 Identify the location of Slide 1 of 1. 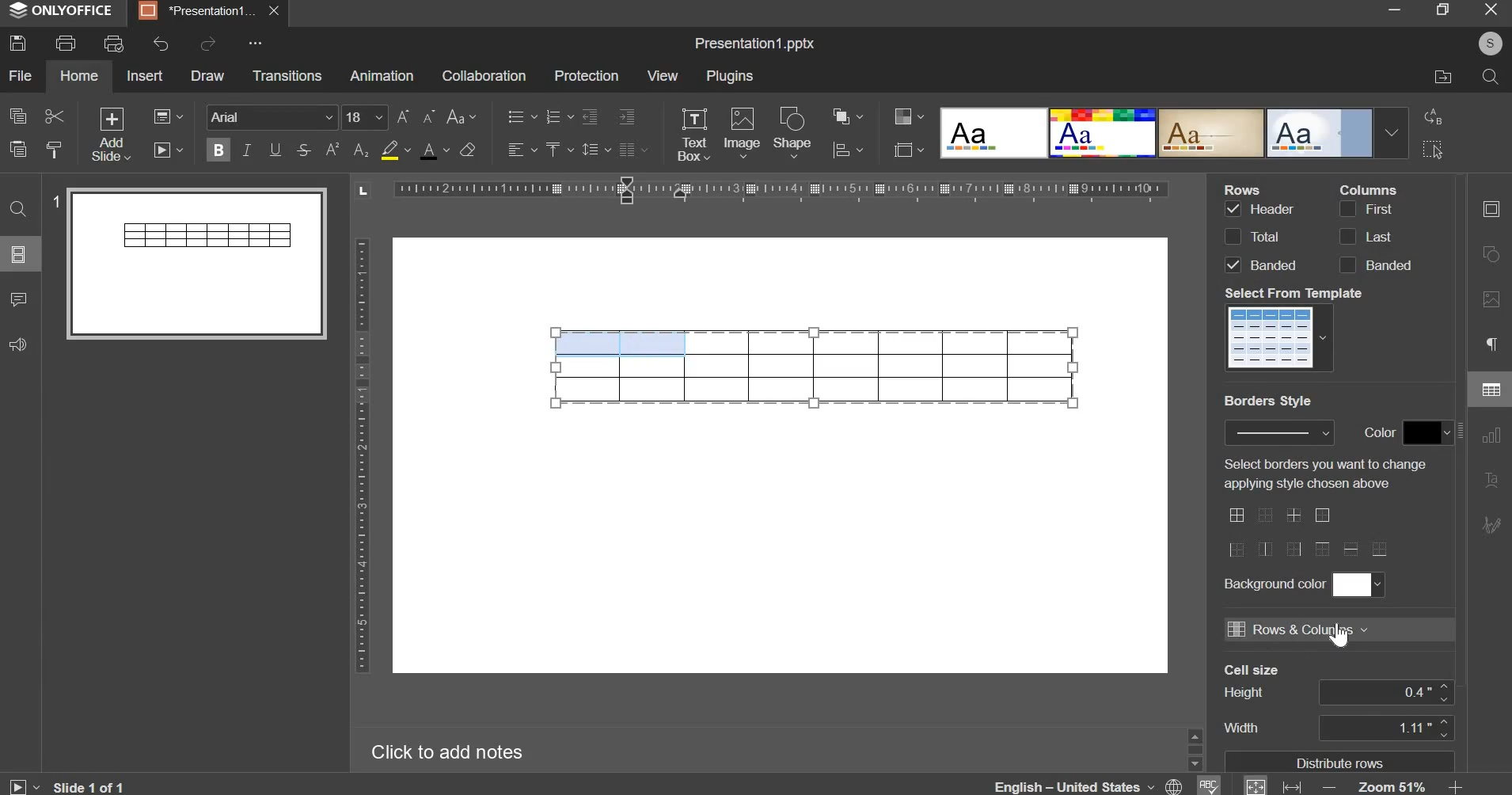
(66, 786).